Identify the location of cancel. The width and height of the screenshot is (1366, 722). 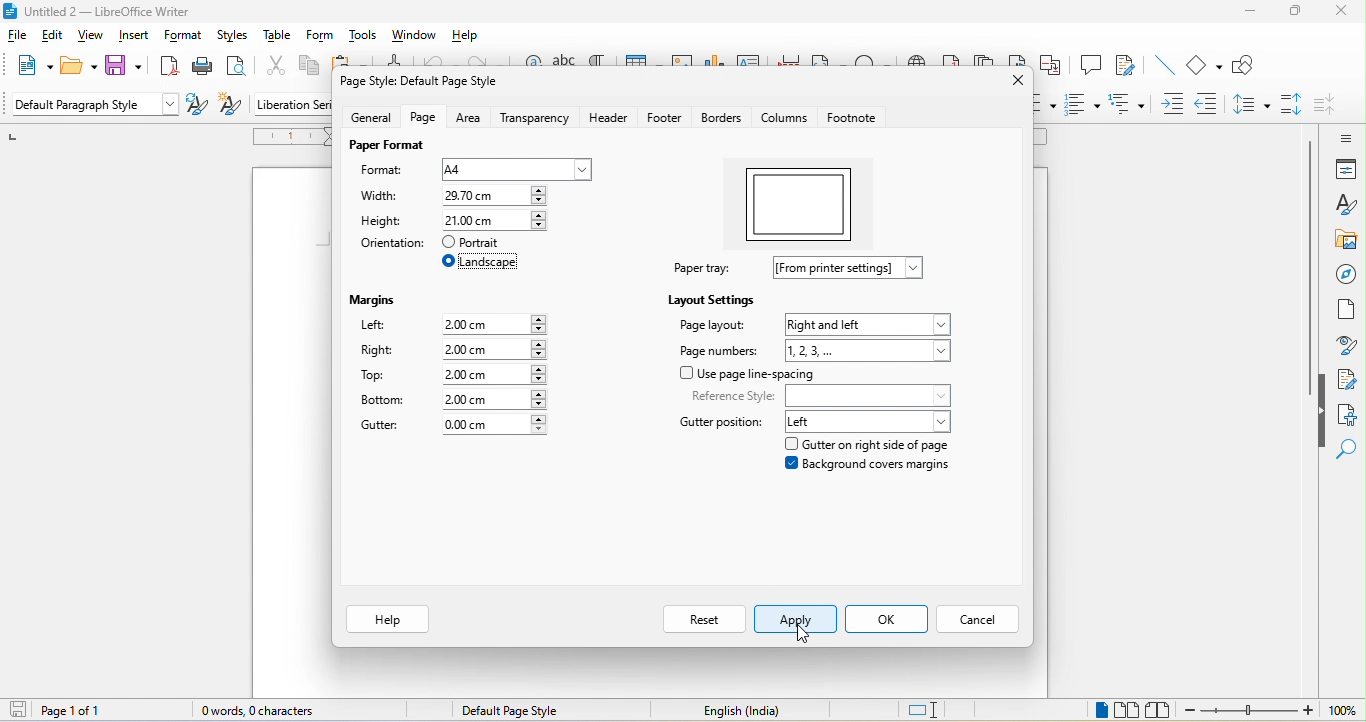
(982, 621).